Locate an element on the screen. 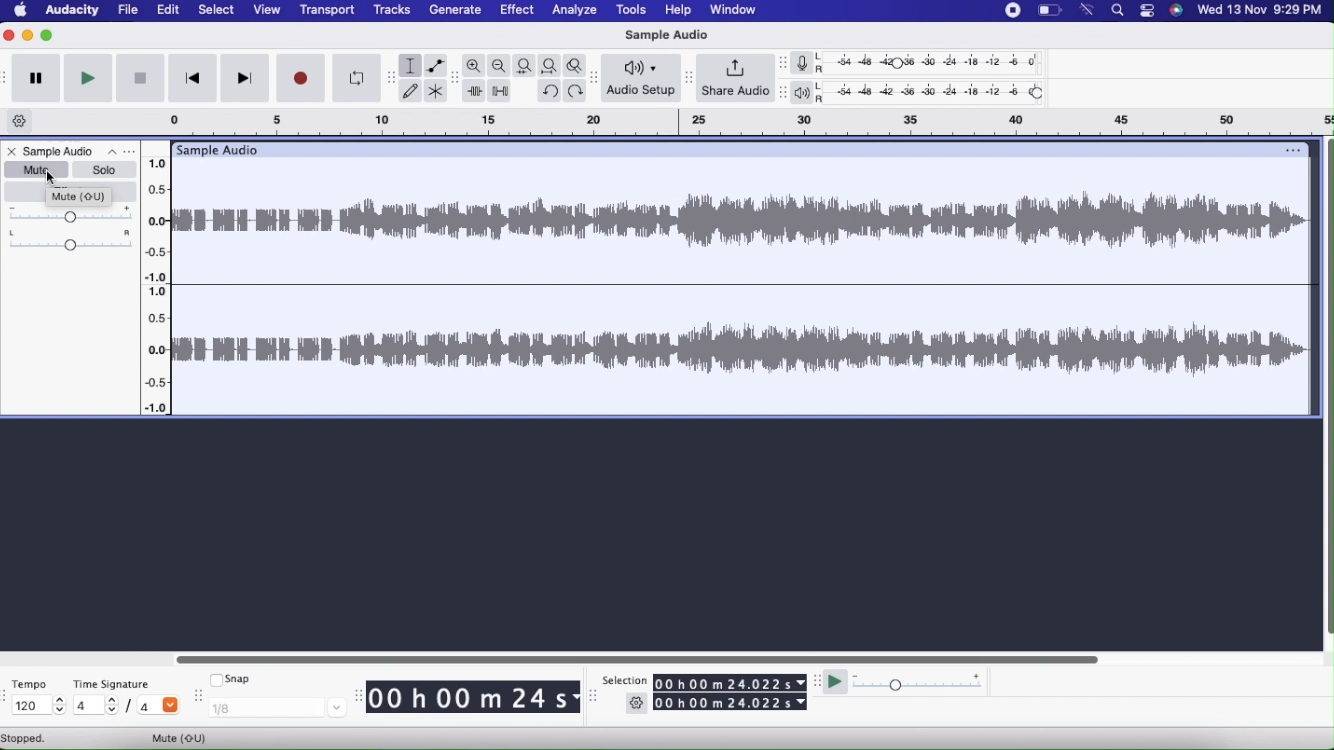 Image resolution: width=1334 pixels, height=750 pixels. Select is located at coordinates (216, 10).